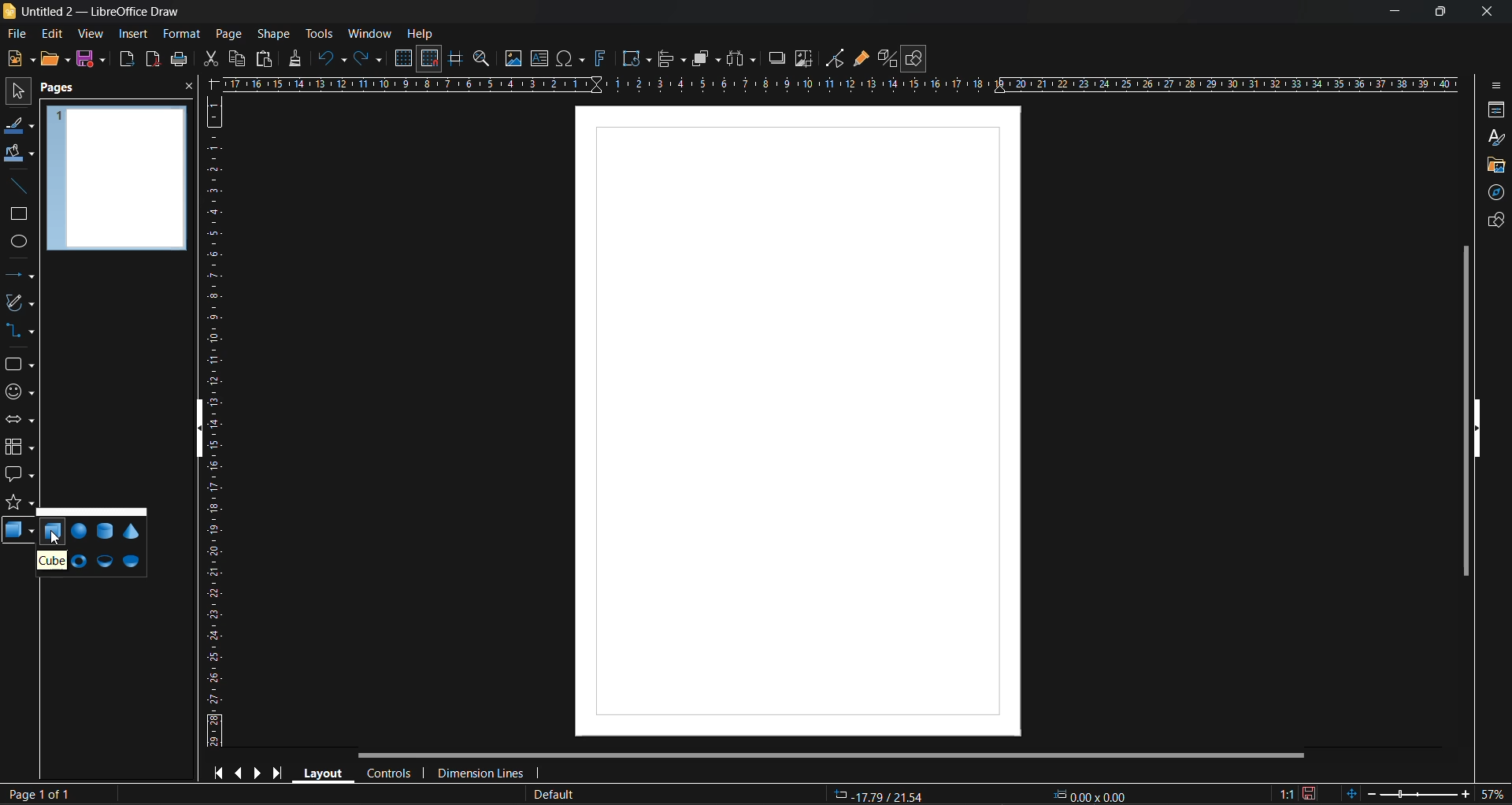  Describe the element at coordinates (670, 60) in the screenshot. I see `align objects` at that location.